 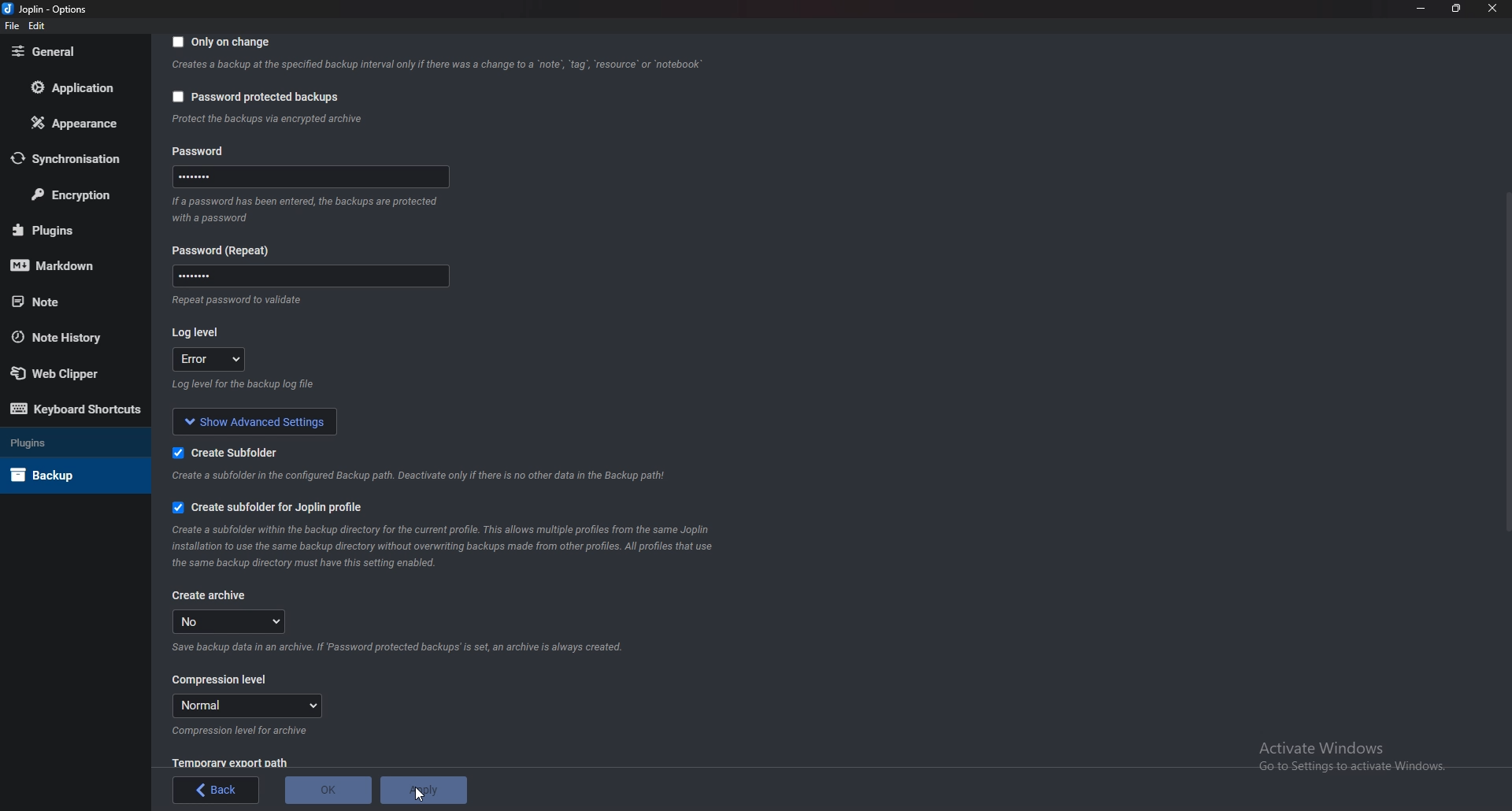 I want to click on Password, so click(x=308, y=275).